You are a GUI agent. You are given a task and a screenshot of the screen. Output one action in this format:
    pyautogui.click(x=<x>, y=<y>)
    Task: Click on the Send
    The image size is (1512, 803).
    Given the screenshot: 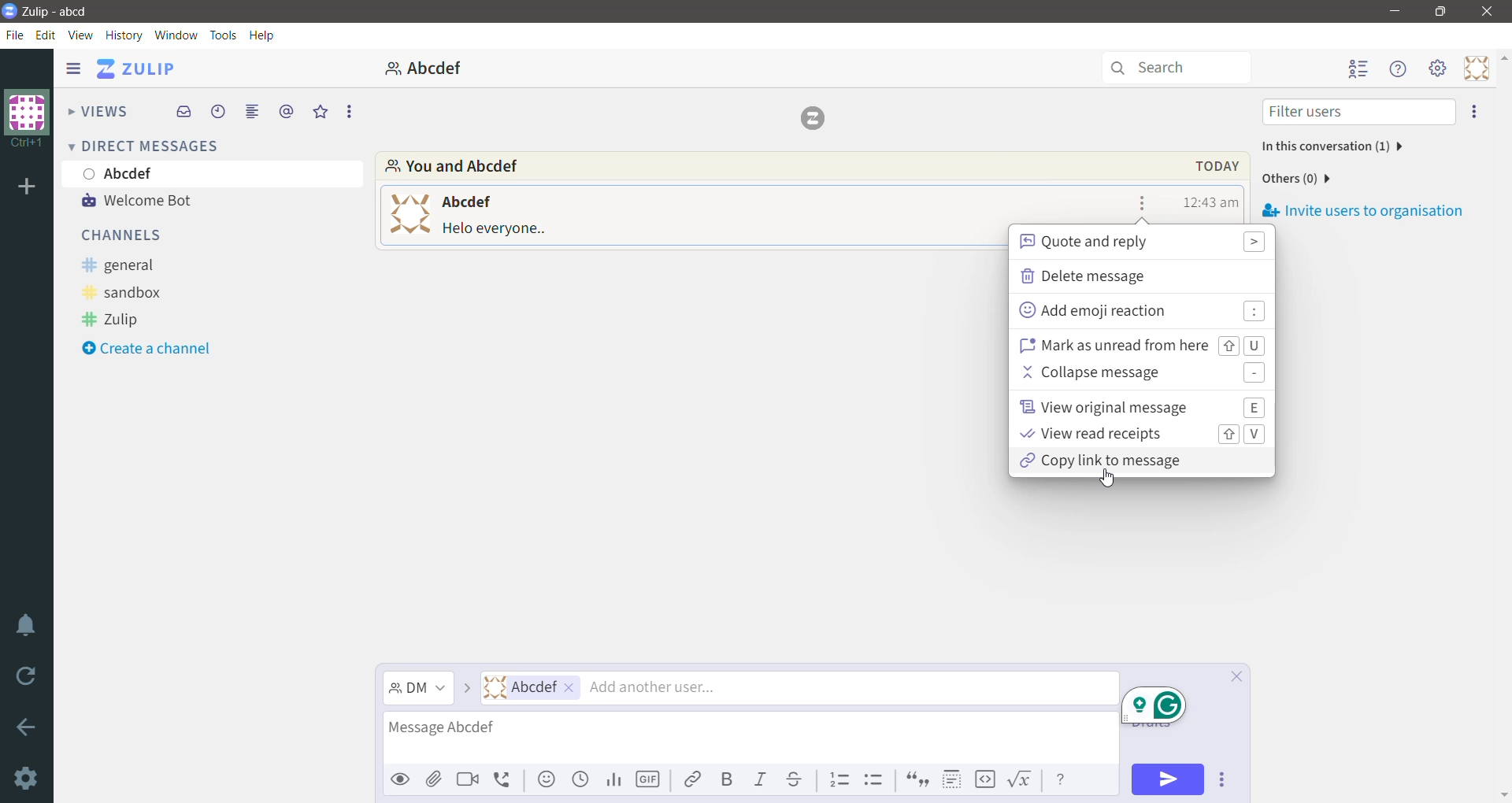 What is the action you would take?
    pyautogui.click(x=1168, y=779)
    